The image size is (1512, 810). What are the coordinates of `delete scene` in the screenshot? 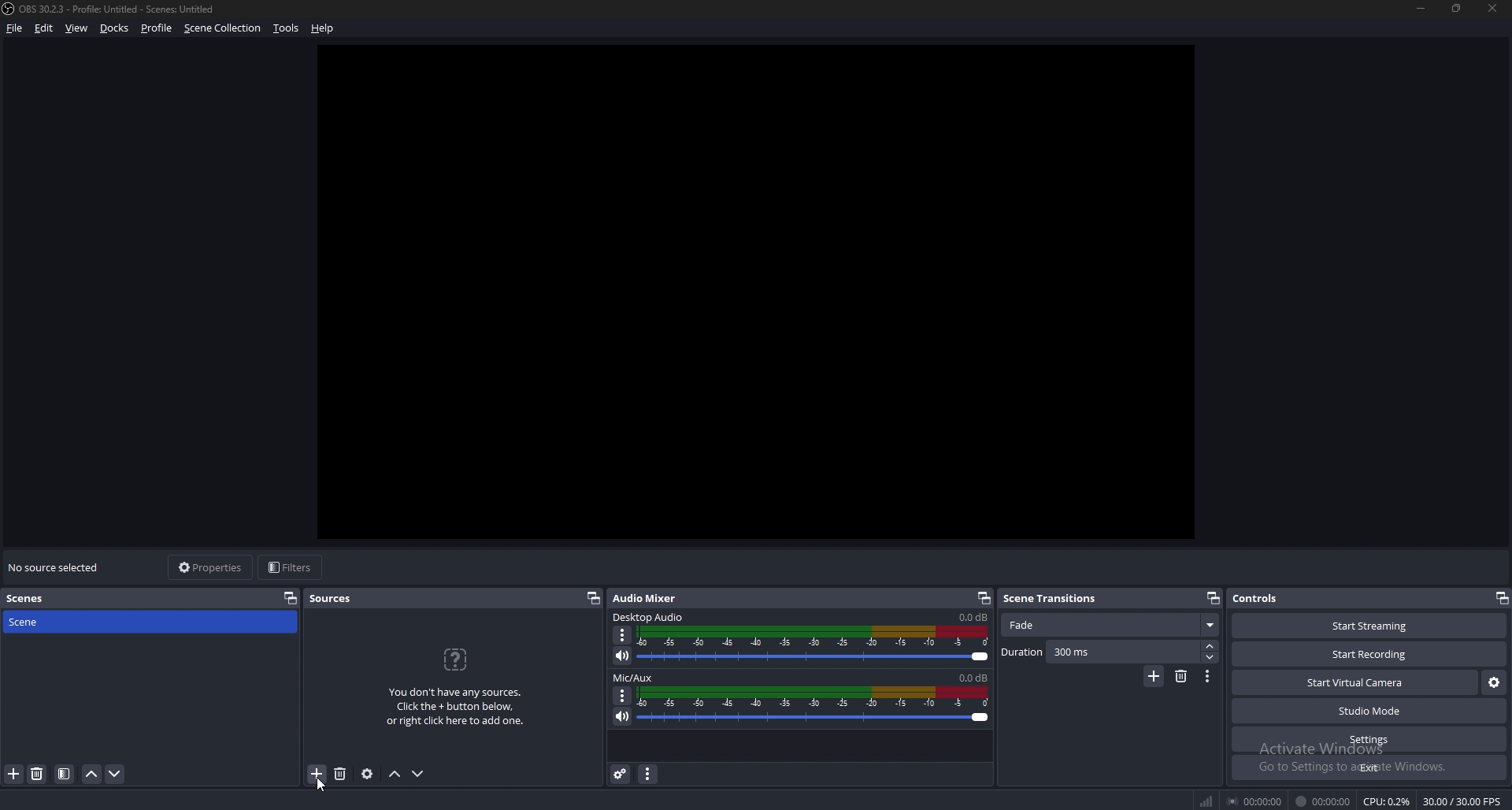 It's located at (38, 773).